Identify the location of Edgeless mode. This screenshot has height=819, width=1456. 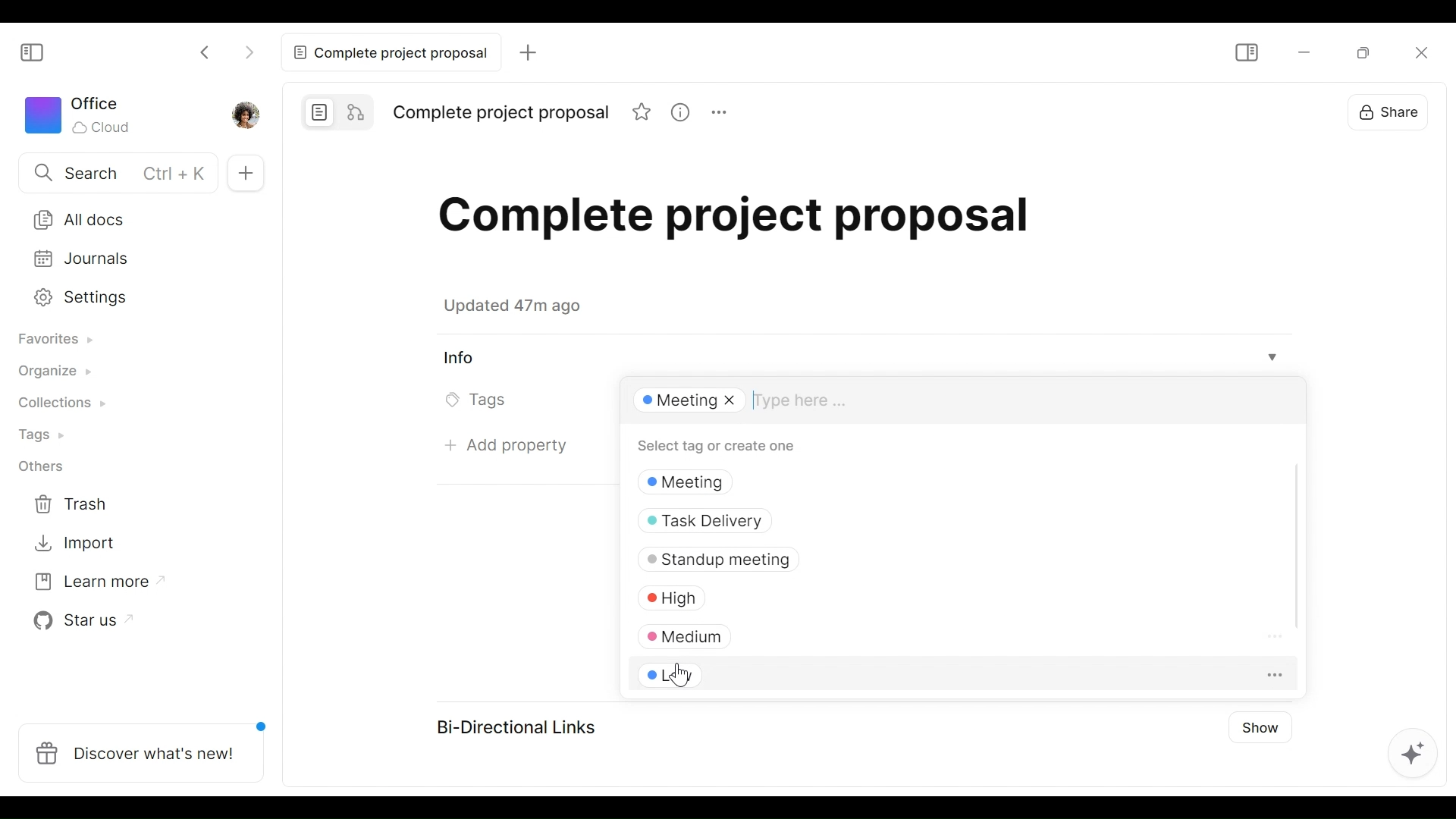
(356, 110).